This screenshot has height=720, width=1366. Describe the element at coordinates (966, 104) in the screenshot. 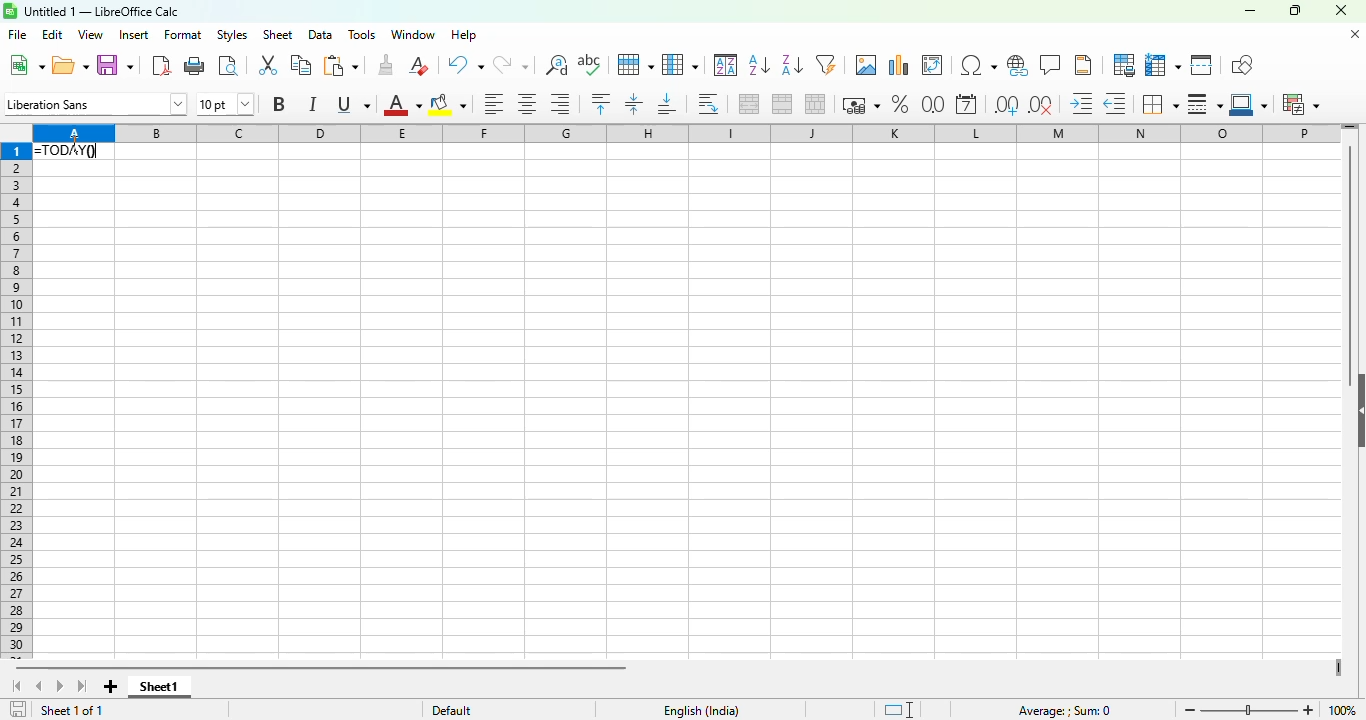

I see `format as date` at that location.